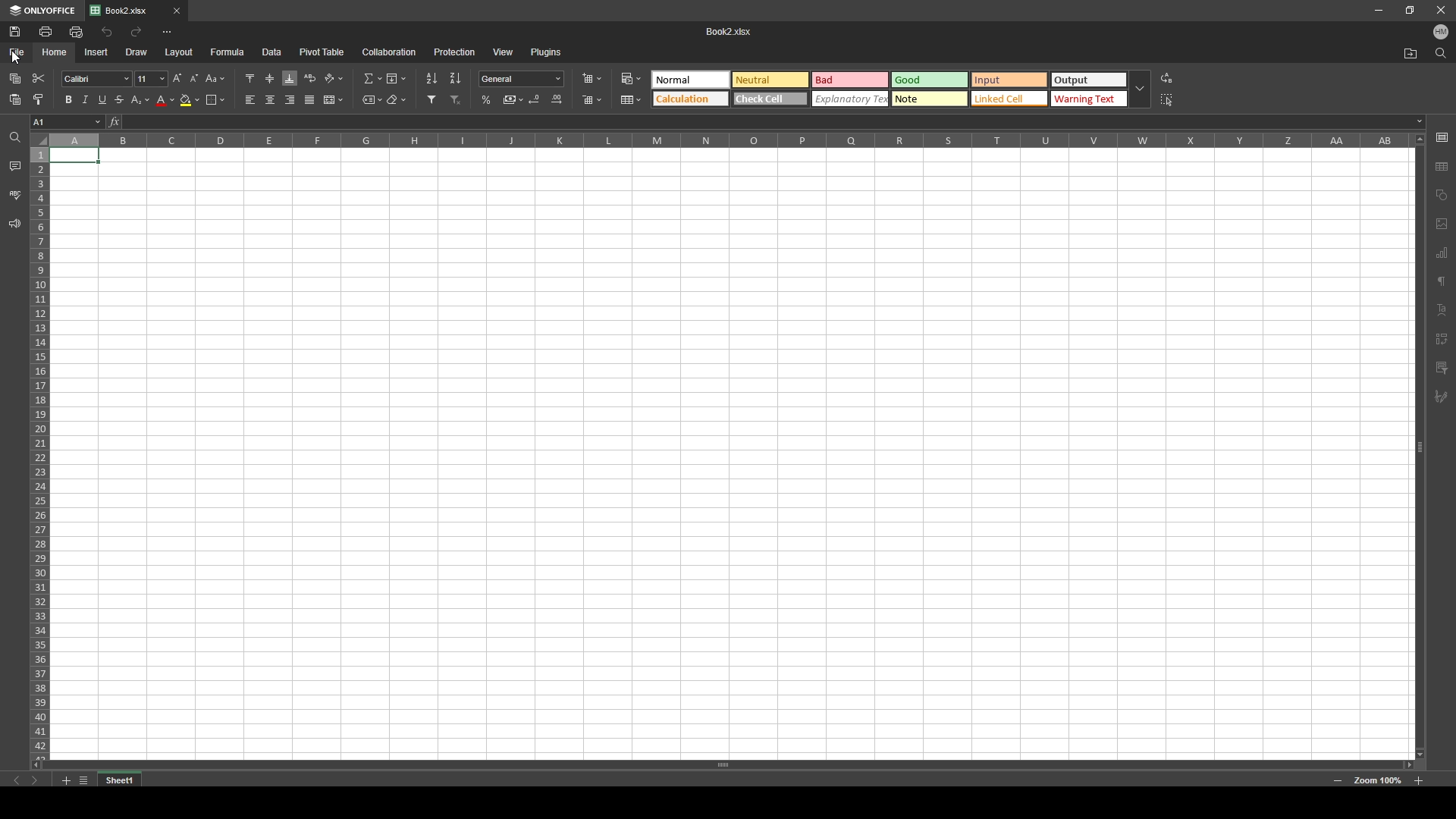 Image resolution: width=1456 pixels, height=819 pixels. Describe the element at coordinates (168, 31) in the screenshot. I see `more options` at that location.